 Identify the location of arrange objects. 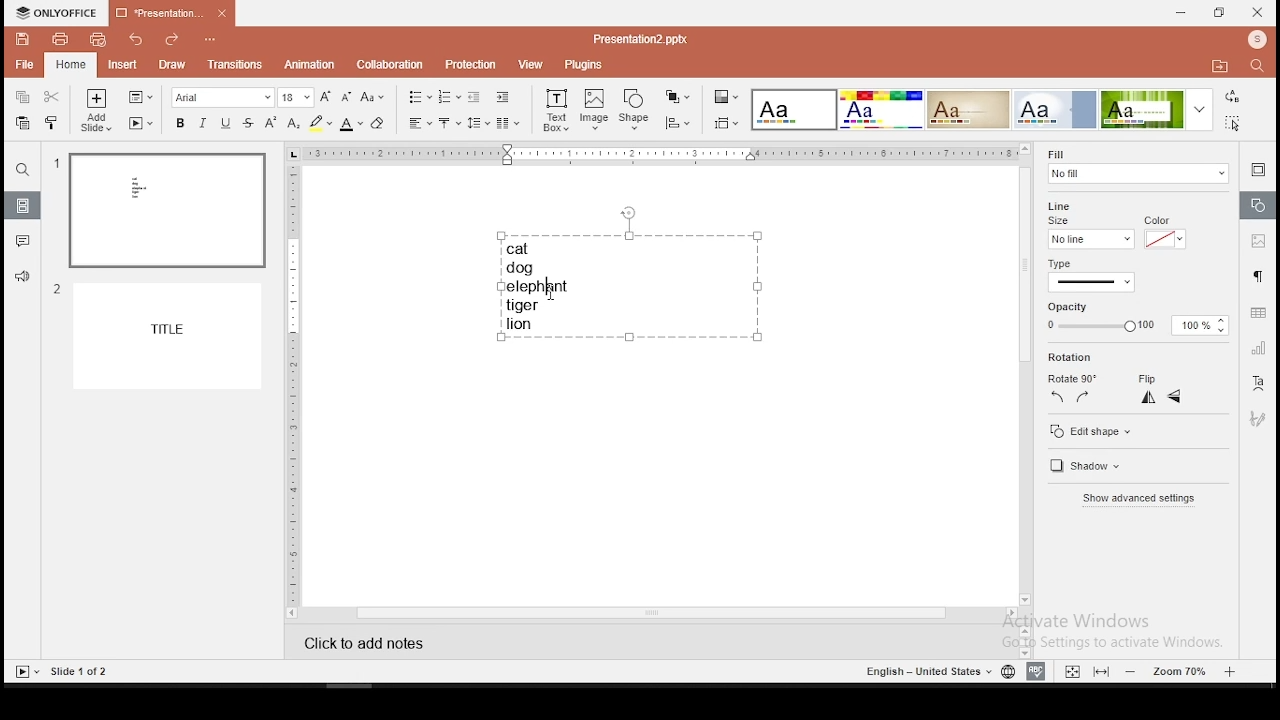
(678, 98).